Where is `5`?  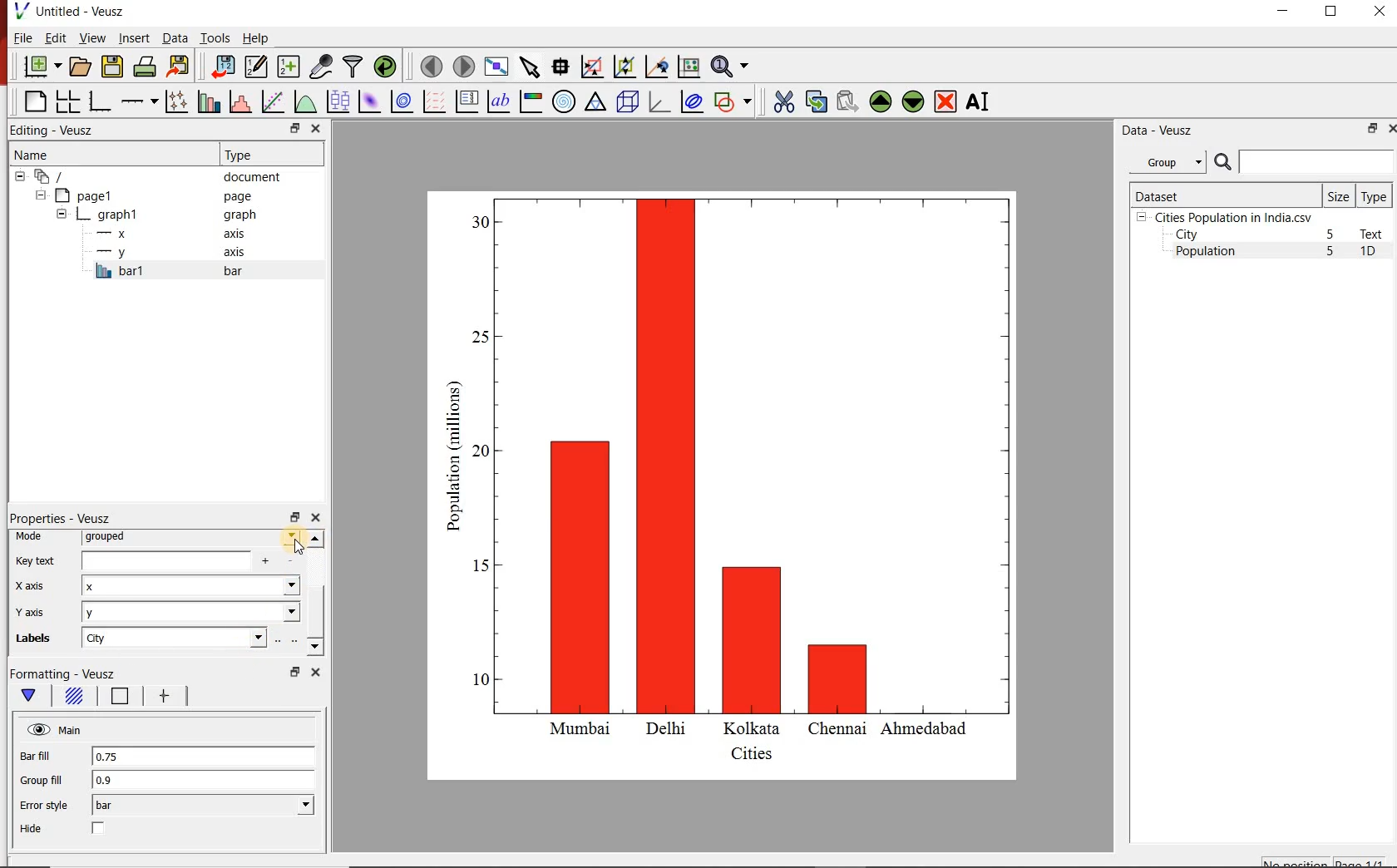
5 is located at coordinates (1331, 235).